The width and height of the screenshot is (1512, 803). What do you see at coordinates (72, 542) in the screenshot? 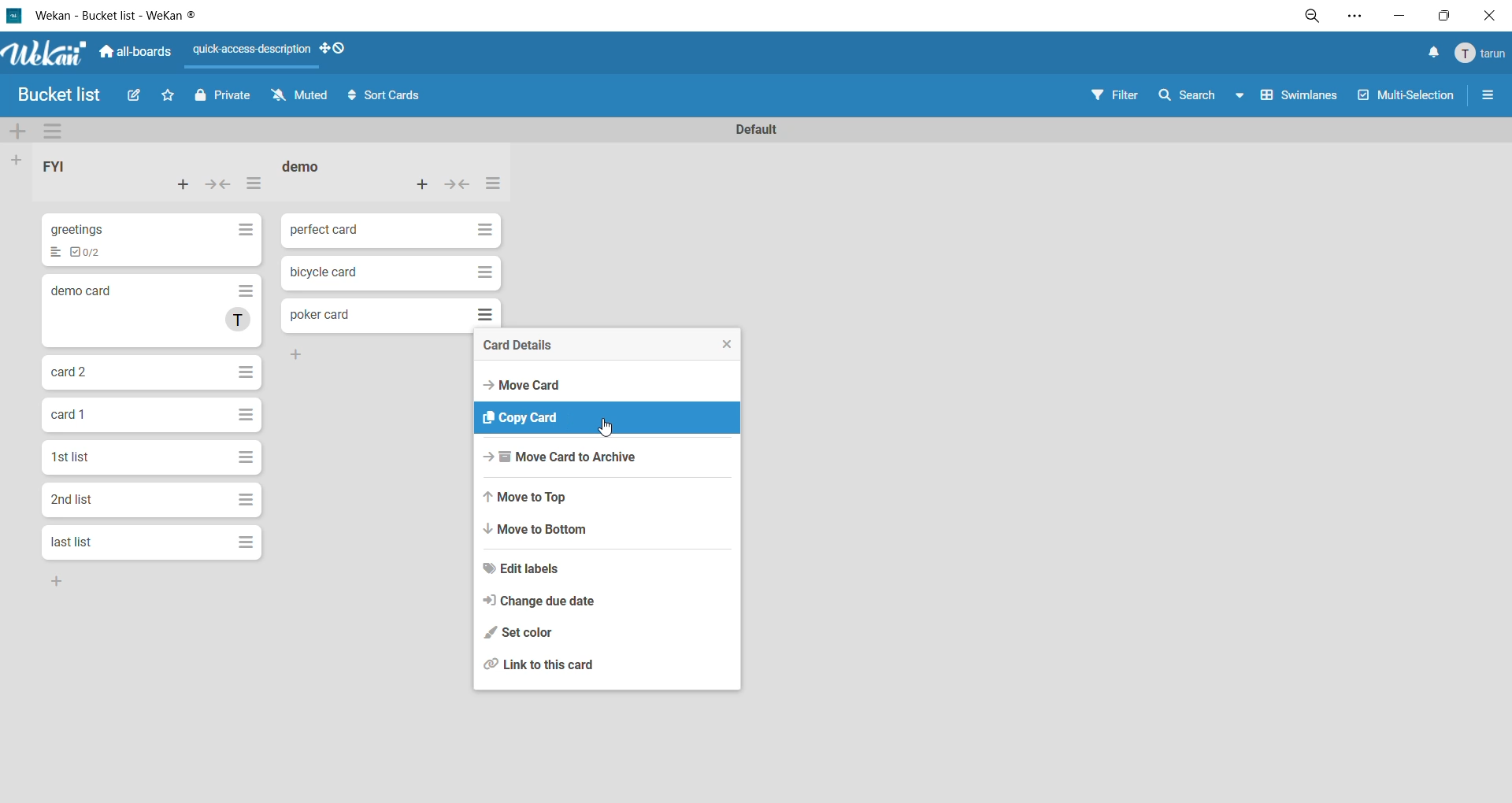
I see `last list` at bounding box center [72, 542].